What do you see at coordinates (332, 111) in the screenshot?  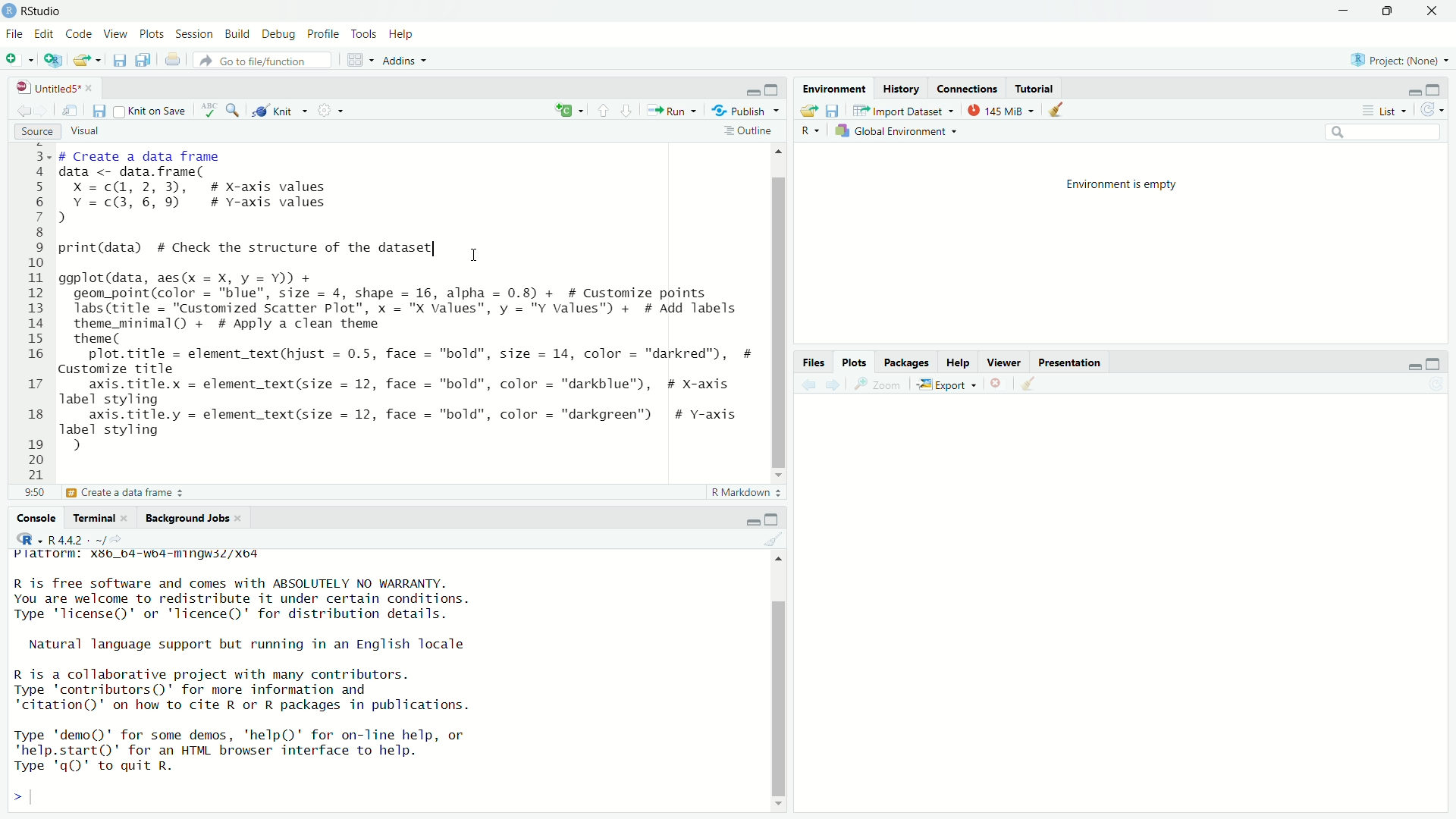 I see `Settings` at bounding box center [332, 111].